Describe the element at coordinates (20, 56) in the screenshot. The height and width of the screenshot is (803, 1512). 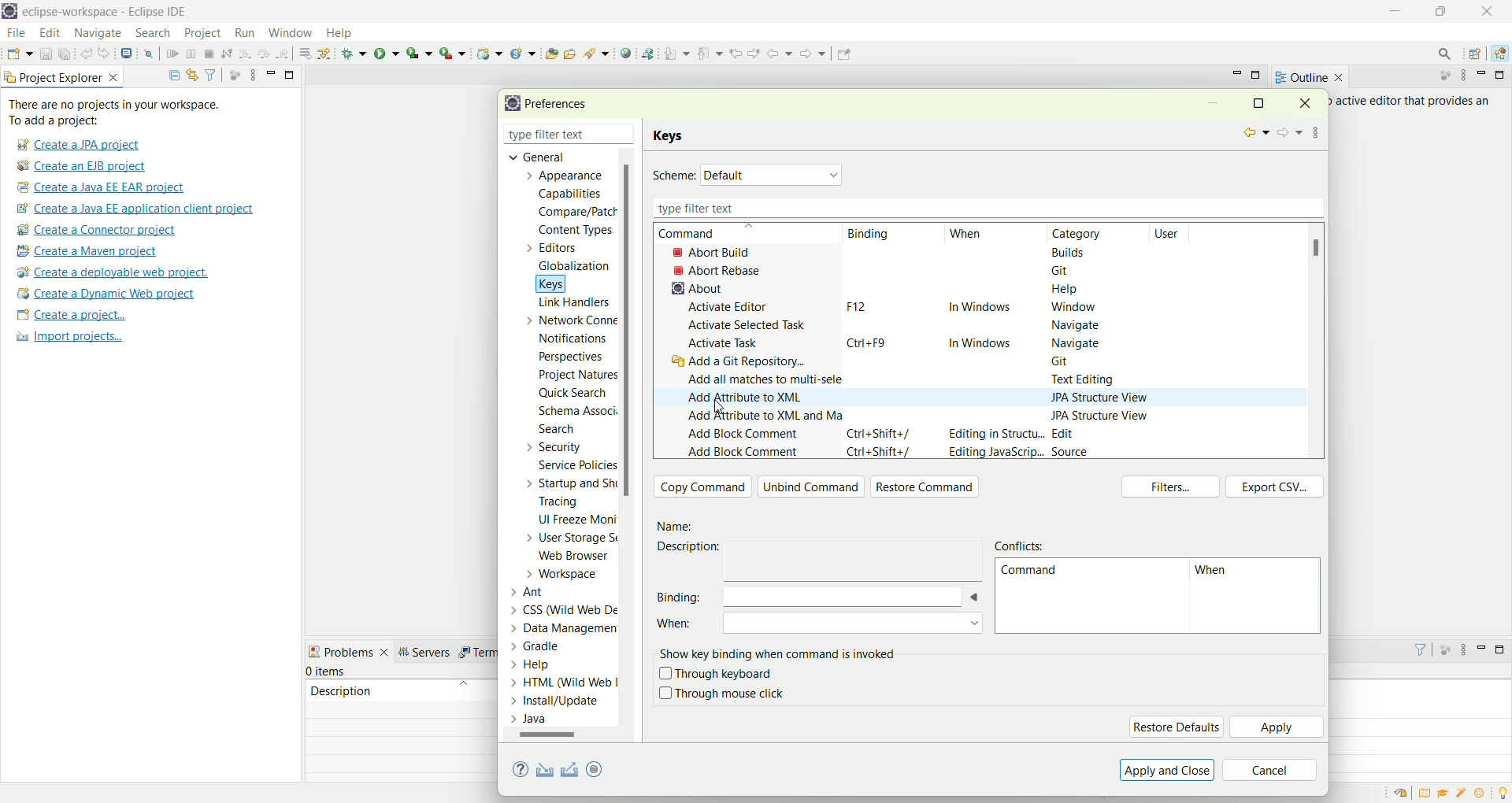
I see `open` at that location.